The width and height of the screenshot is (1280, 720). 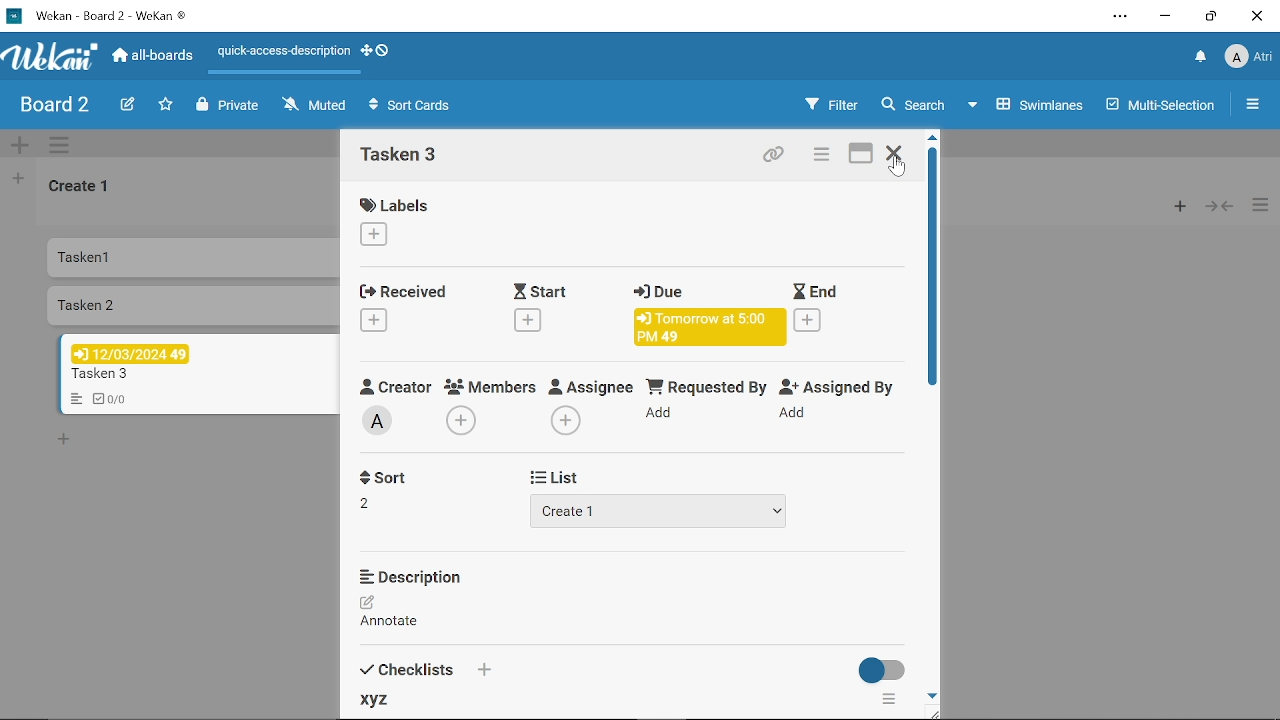 What do you see at coordinates (405, 106) in the screenshot?
I see `Sort Cards` at bounding box center [405, 106].